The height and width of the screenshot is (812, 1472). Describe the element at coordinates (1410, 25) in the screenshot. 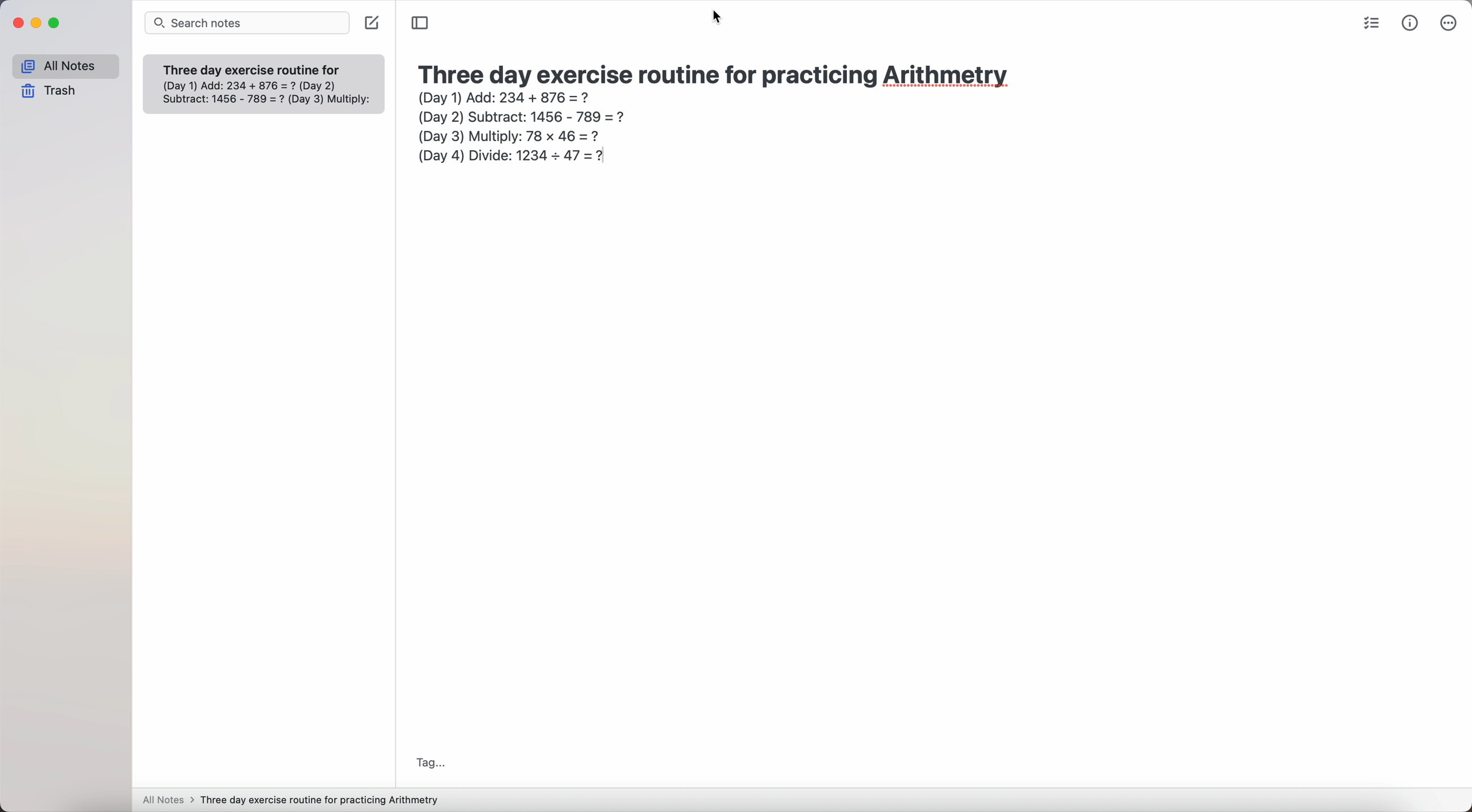

I see `metrics` at that location.